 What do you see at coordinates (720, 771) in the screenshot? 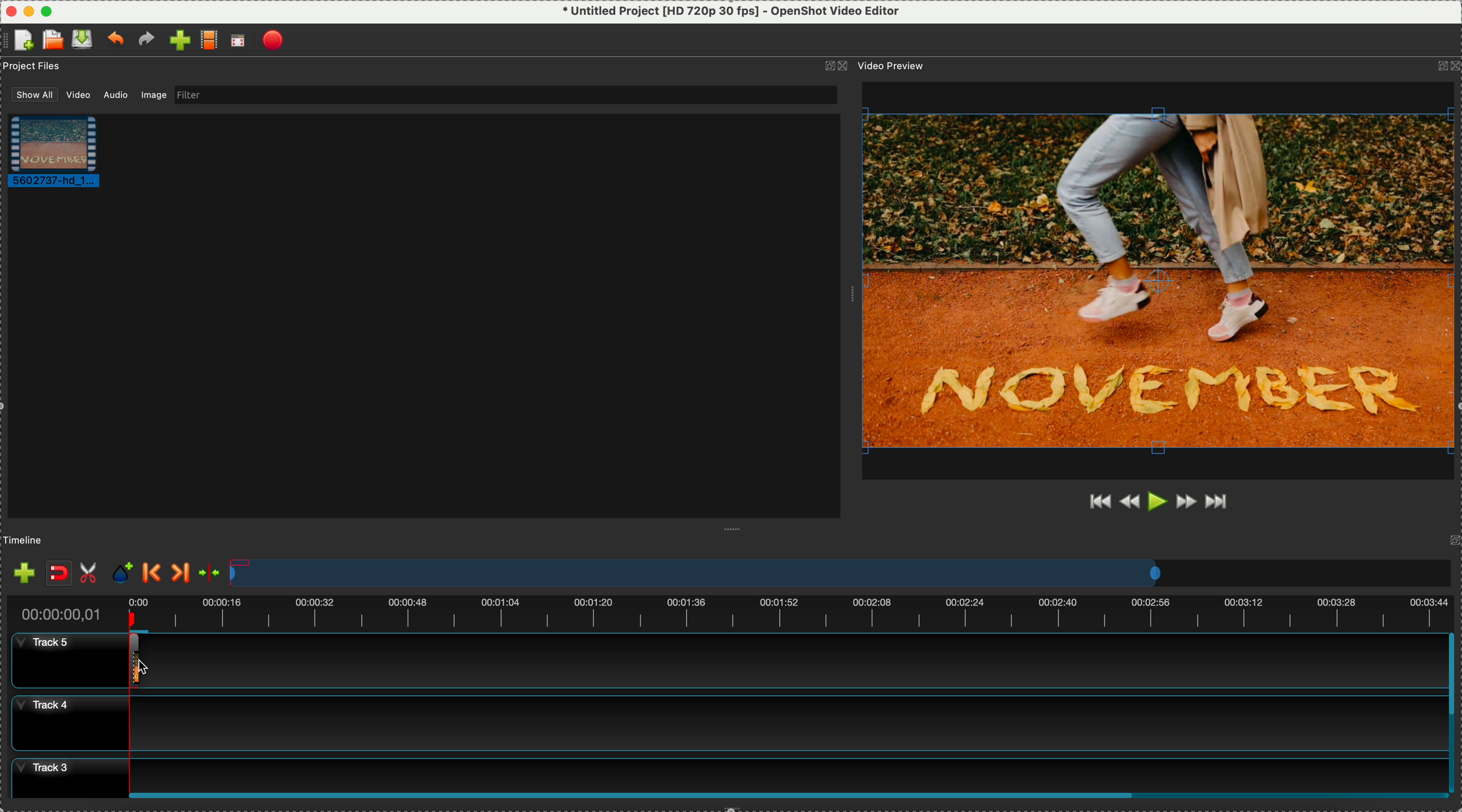
I see `track 3` at bounding box center [720, 771].